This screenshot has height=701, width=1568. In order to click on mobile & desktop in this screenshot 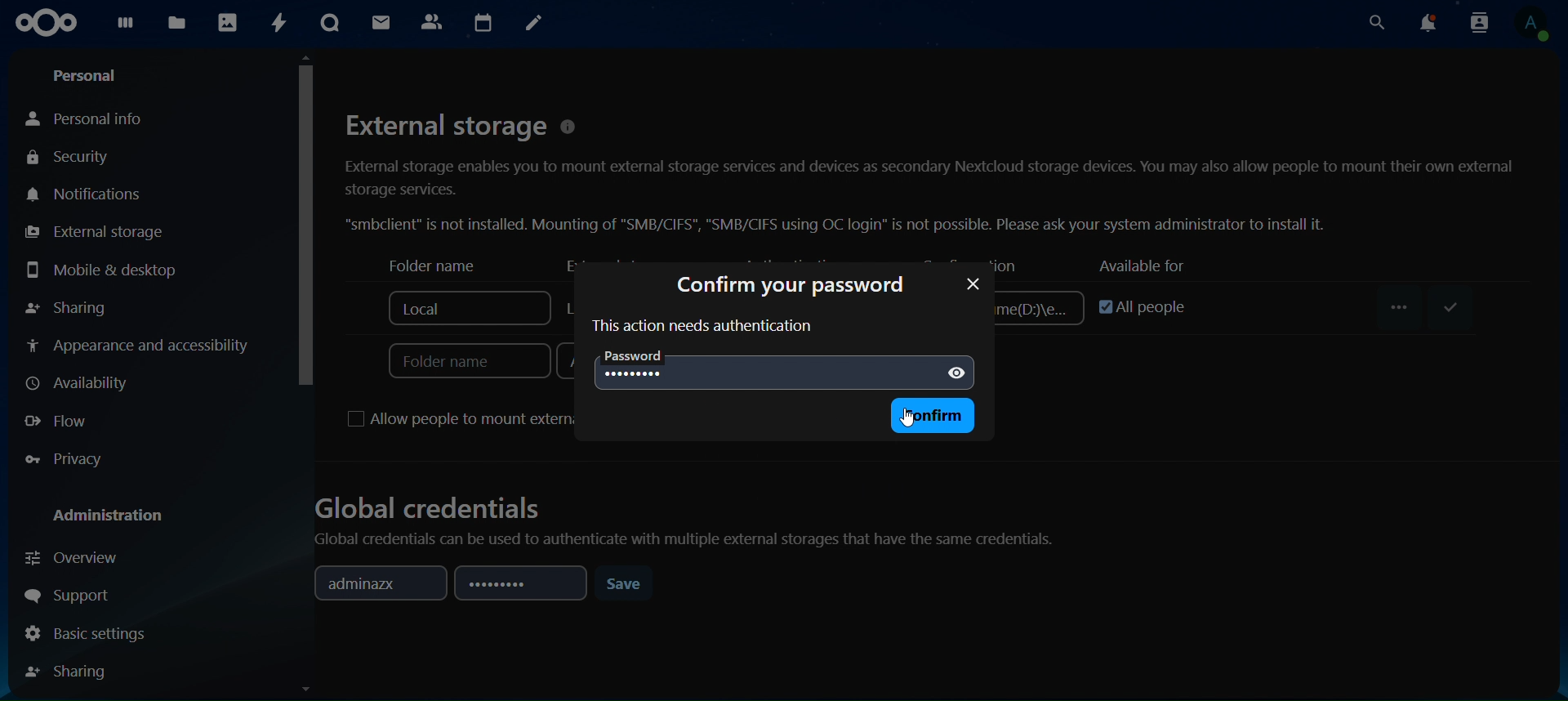, I will do `click(101, 269)`.